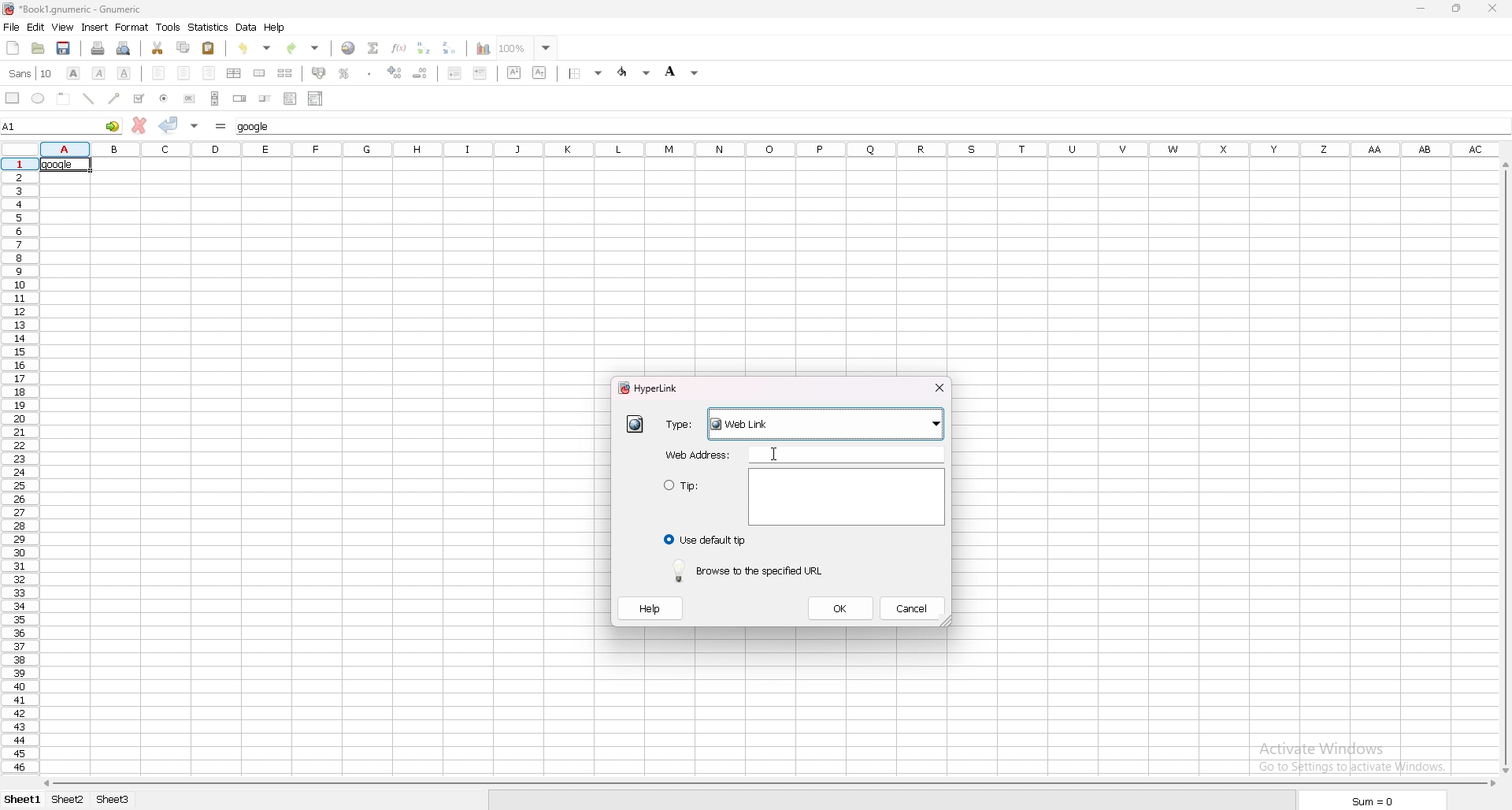 The height and width of the screenshot is (810, 1512). What do you see at coordinates (938, 386) in the screenshot?
I see `close` at bounding box center [938, 386].